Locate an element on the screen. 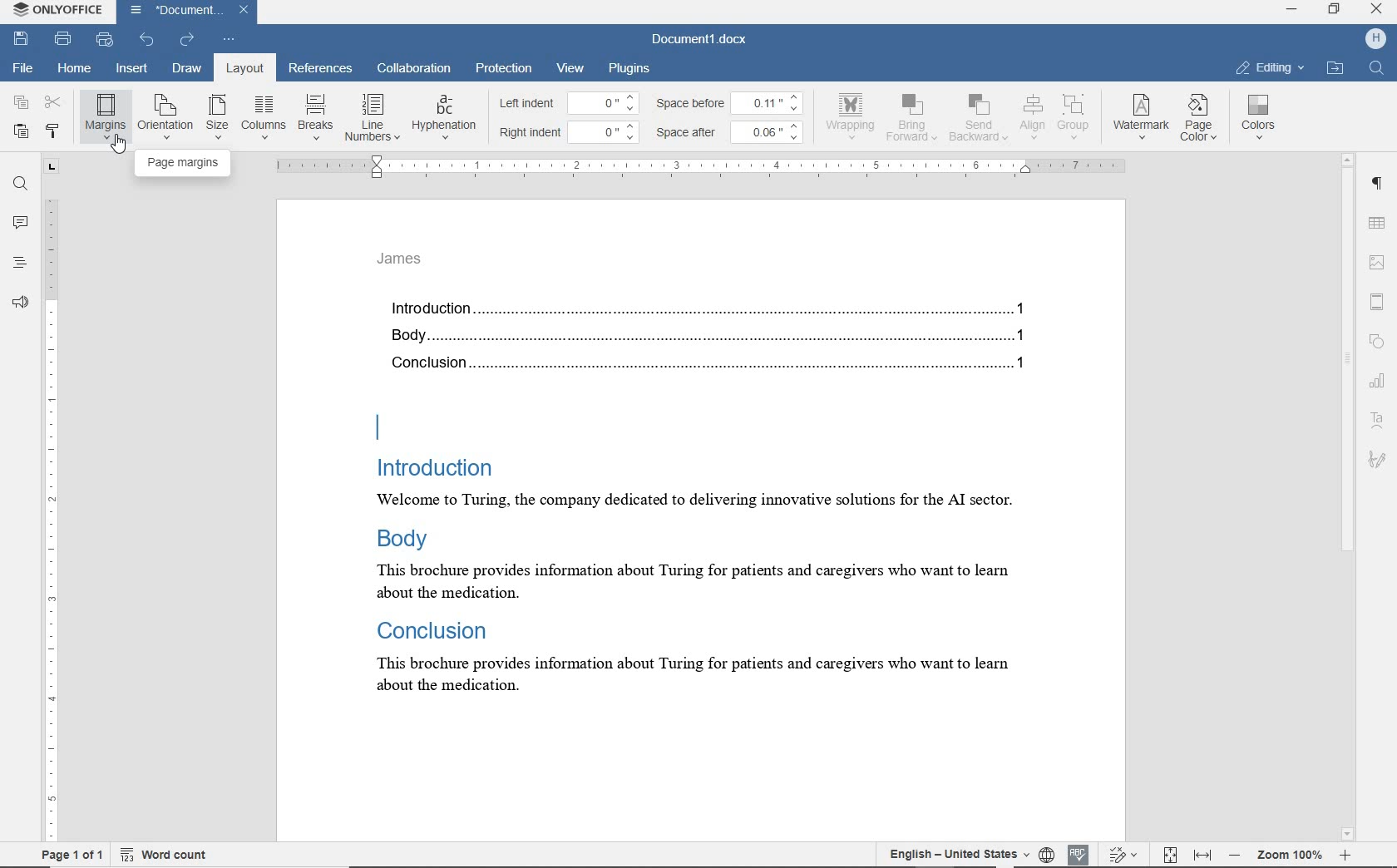  scrollbar is located at coordinates (1348, 497).